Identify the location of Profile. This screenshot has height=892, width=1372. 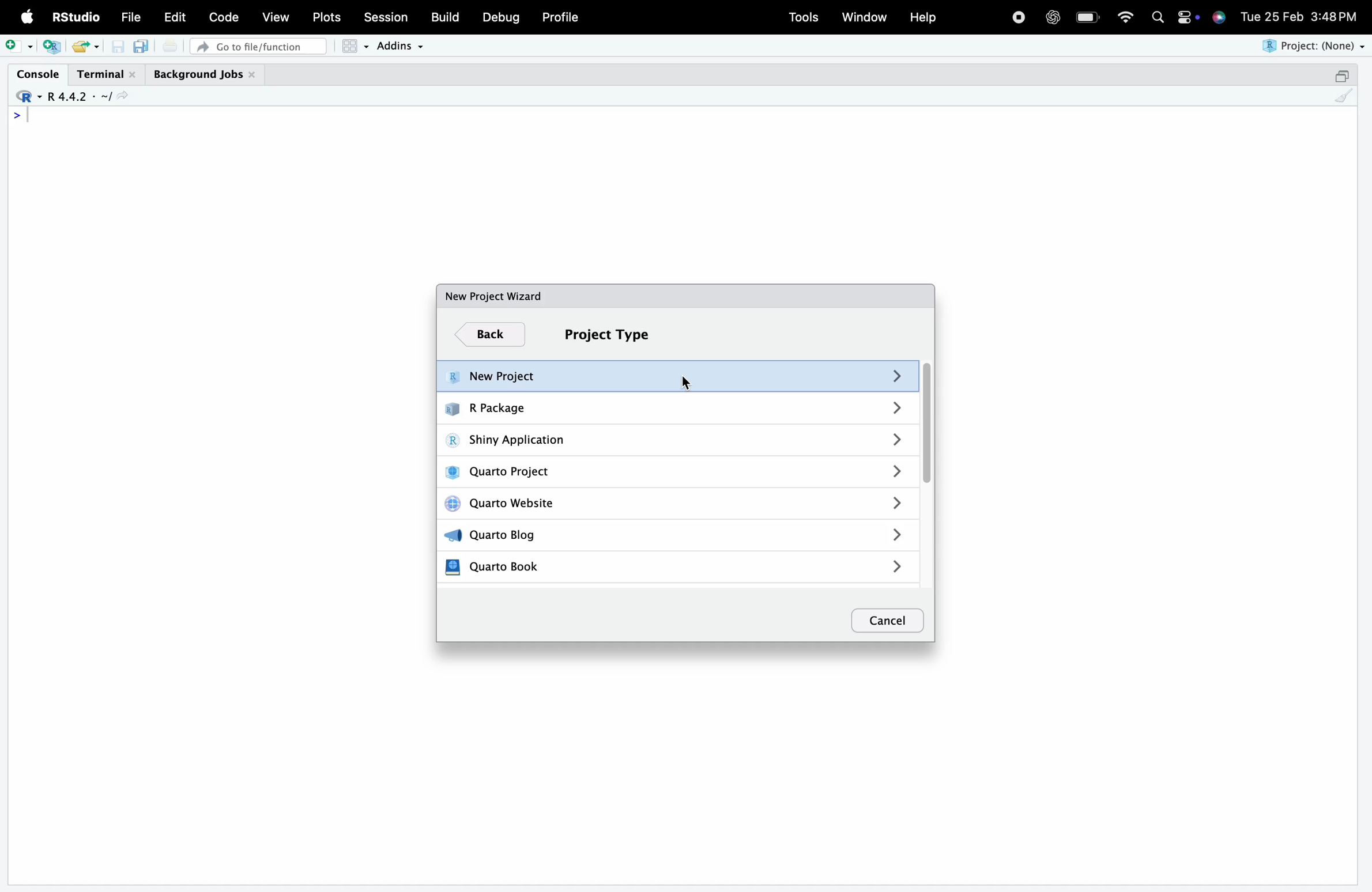
(561, 17).